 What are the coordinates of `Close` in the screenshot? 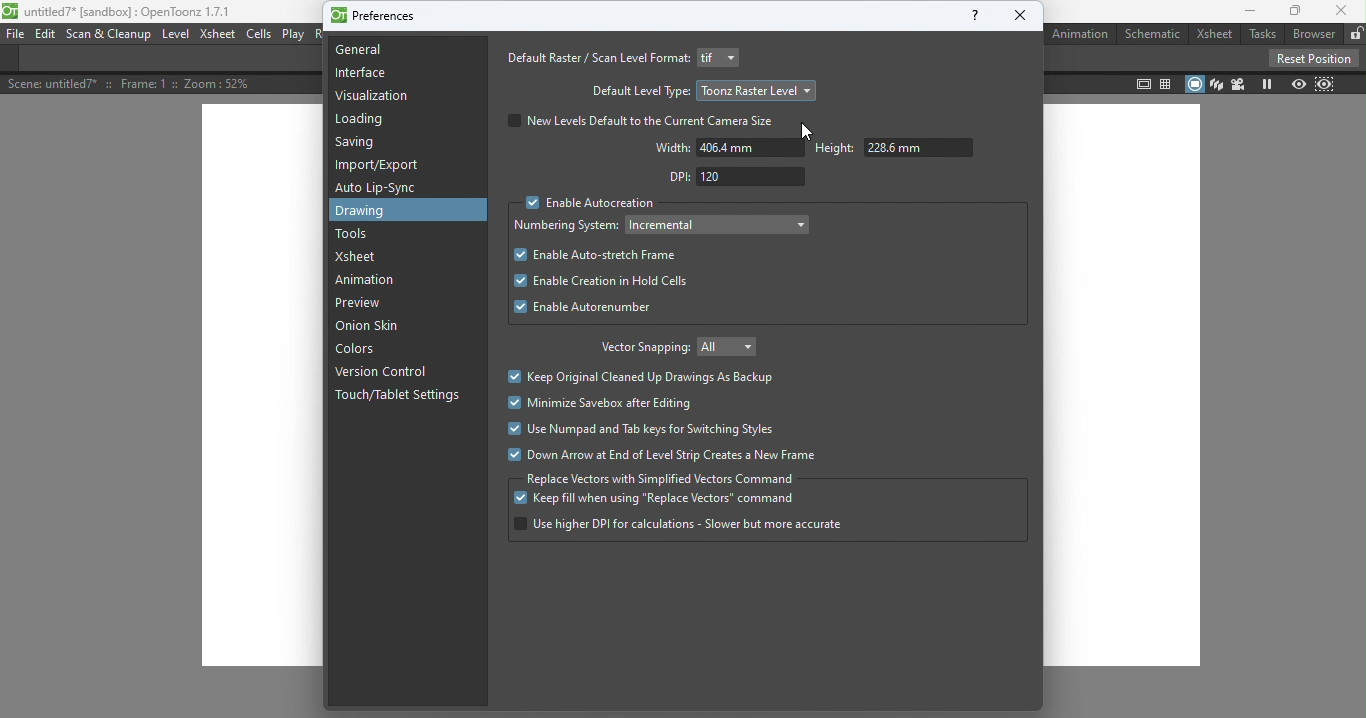 It's located at (1025, 15).